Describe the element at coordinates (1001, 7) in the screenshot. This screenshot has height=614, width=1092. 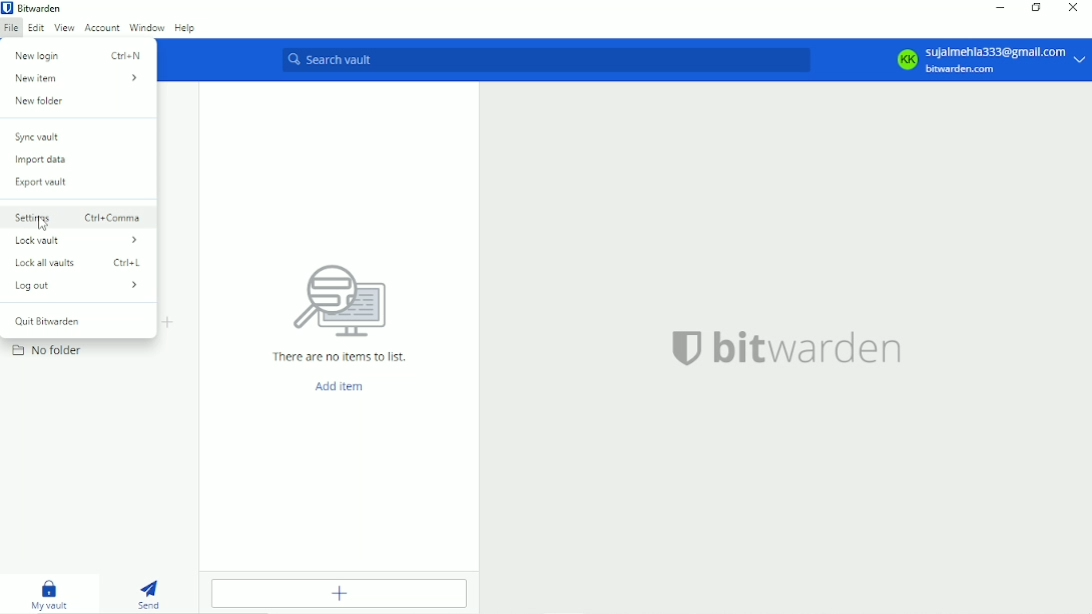
I see `Minimize` at that location.